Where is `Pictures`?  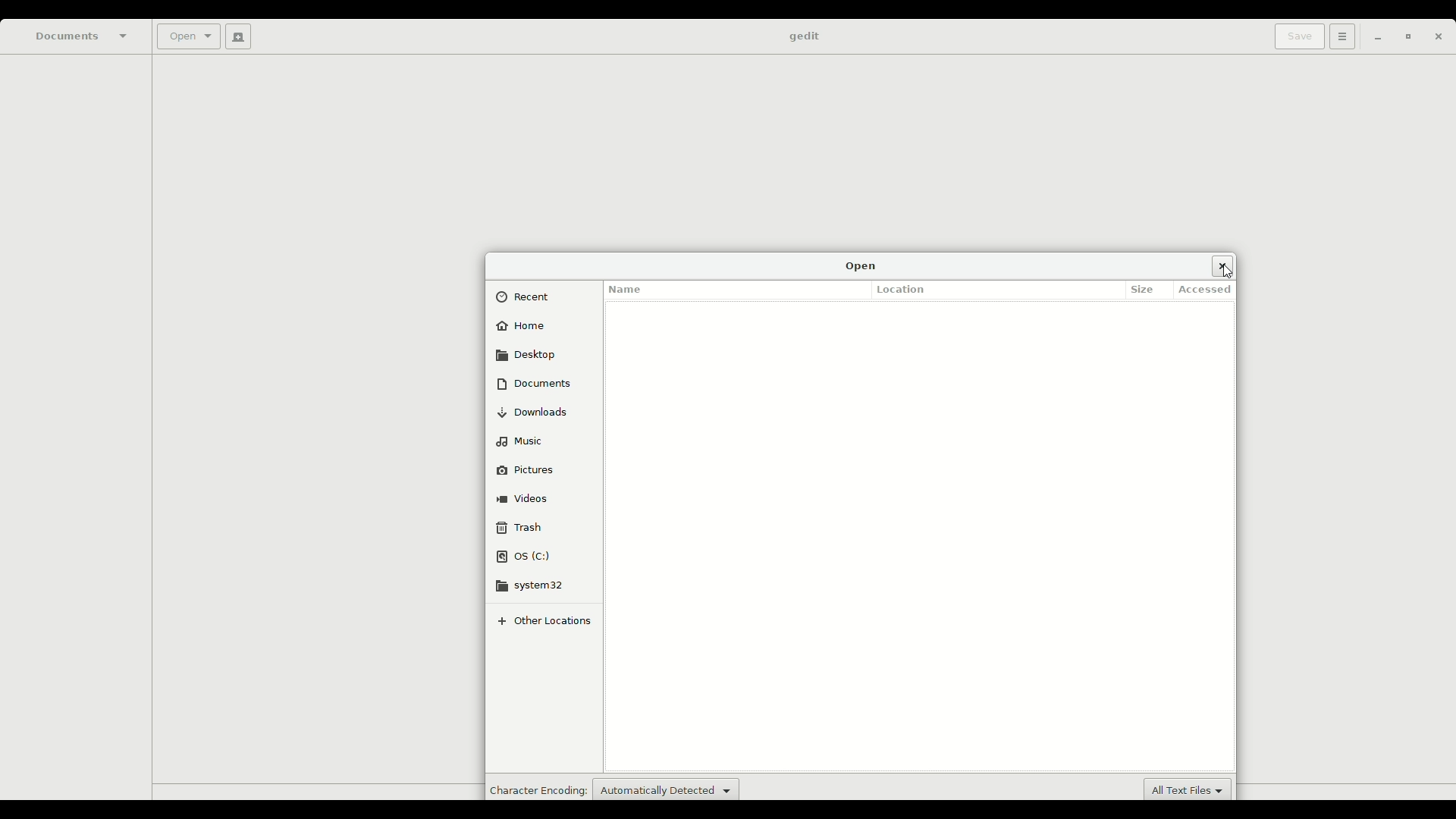 Pictures is located at coordinates (535, 468).